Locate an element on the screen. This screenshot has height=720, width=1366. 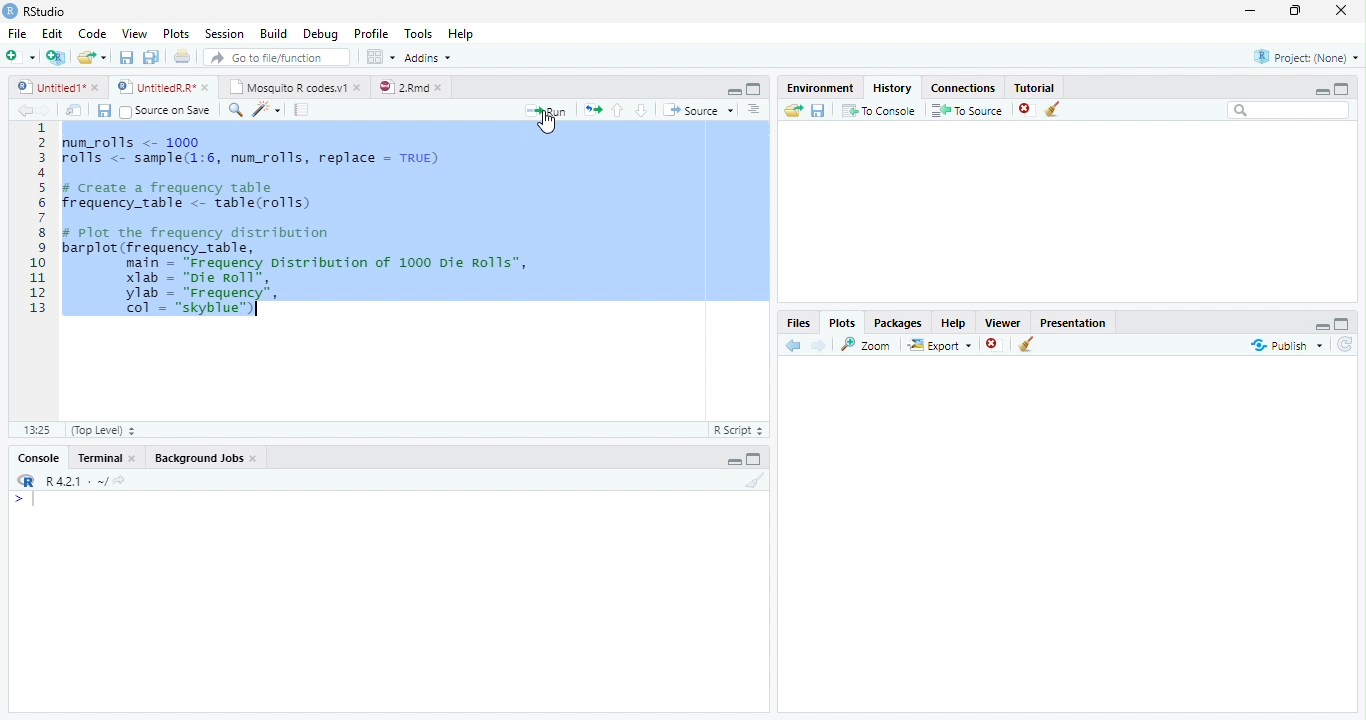
Next Plot is located at coordinates (820, 345).